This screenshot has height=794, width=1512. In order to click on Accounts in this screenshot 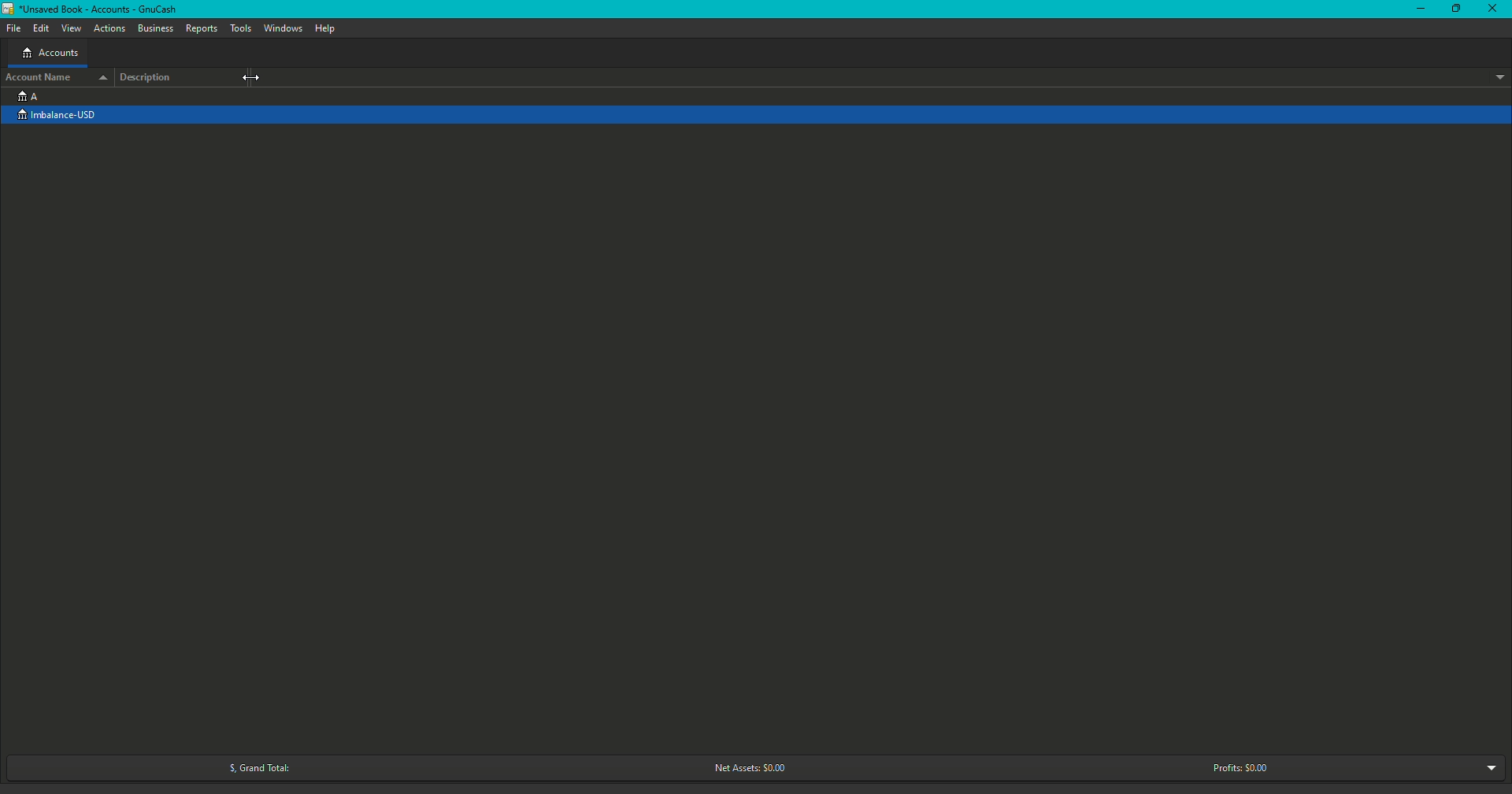, I will do `click(50, 54)`.